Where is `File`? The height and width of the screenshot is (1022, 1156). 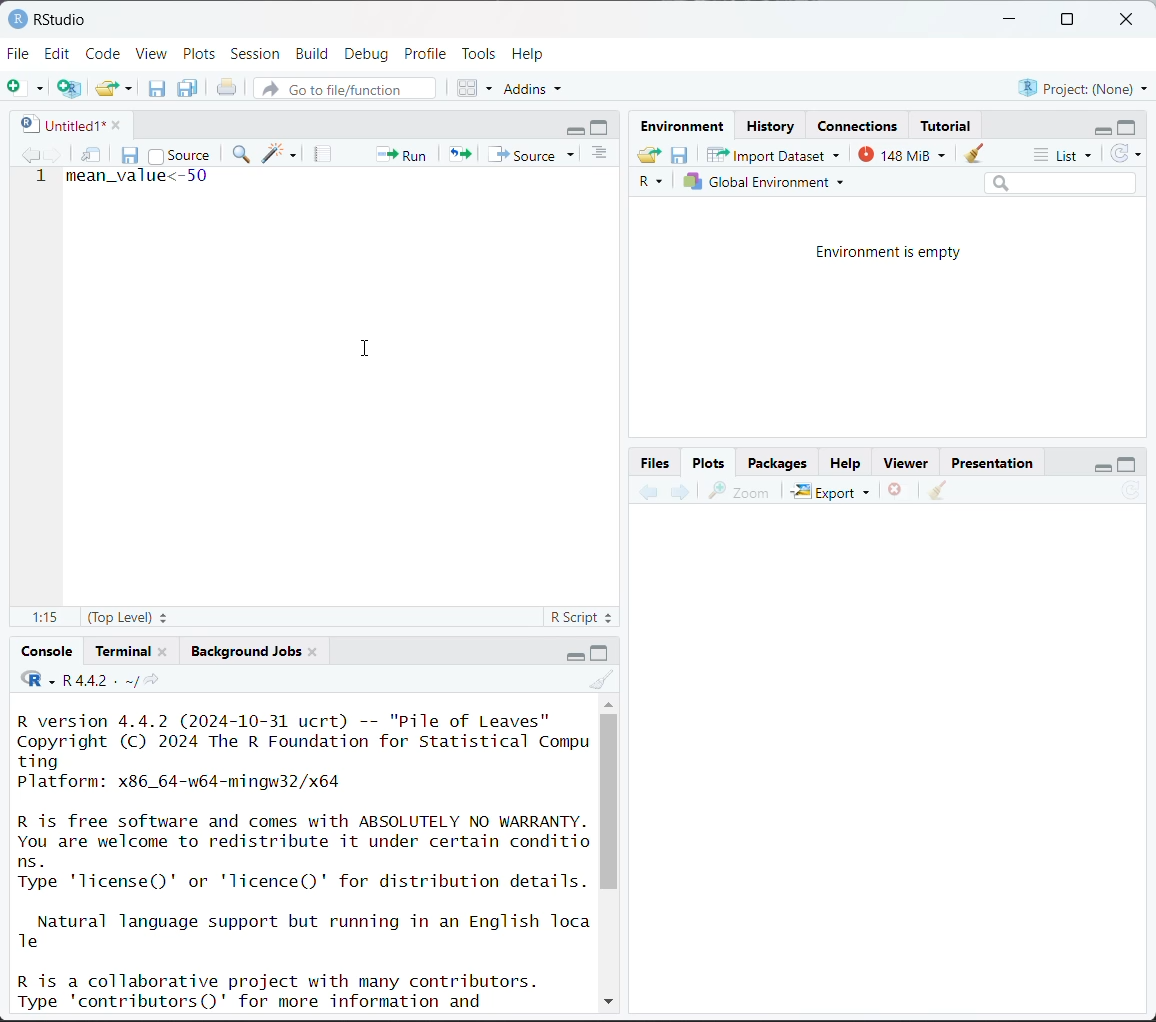
File is located at coordinates (19, 53).